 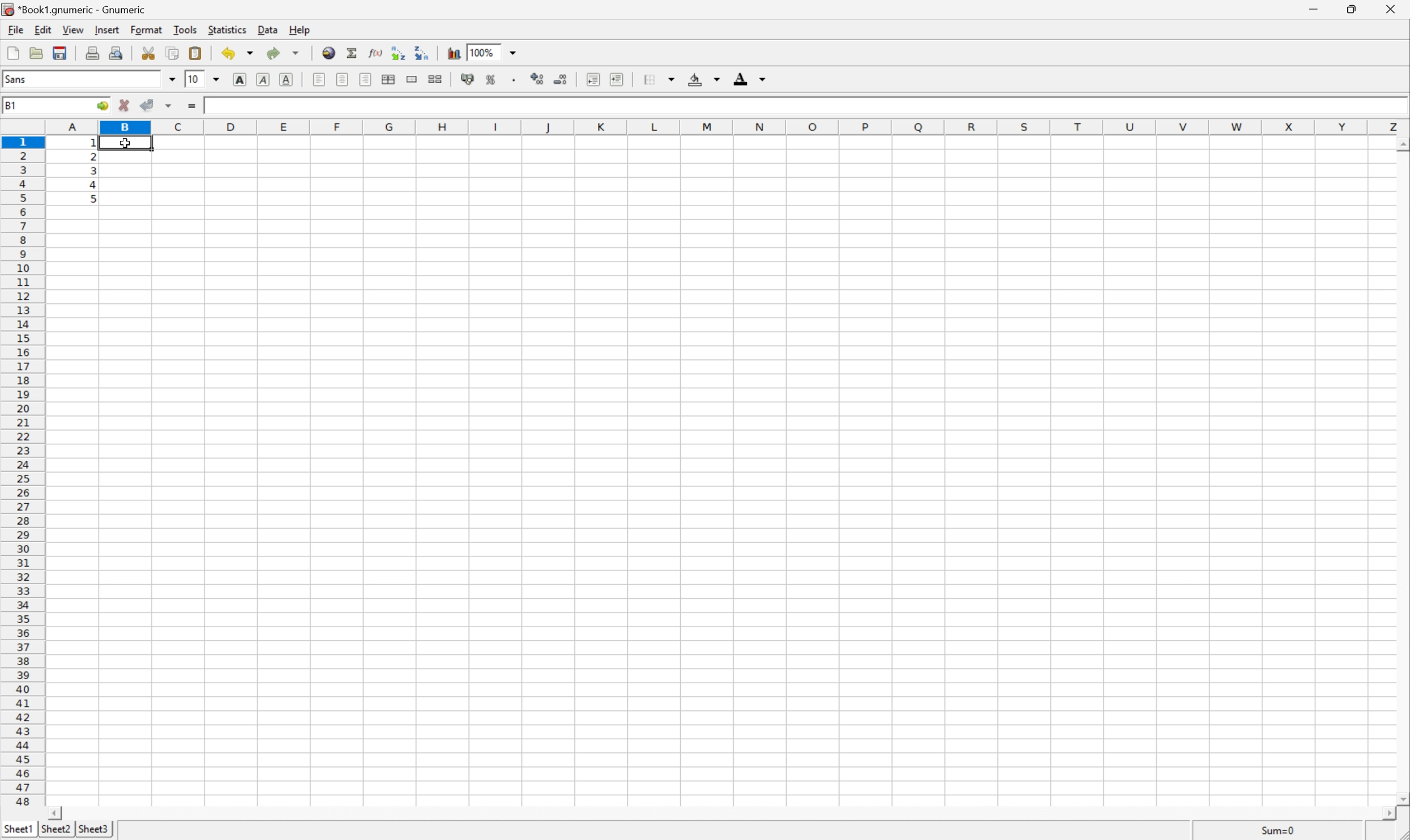 I want to click on Paste clipboard, so click(x=195, y=53).